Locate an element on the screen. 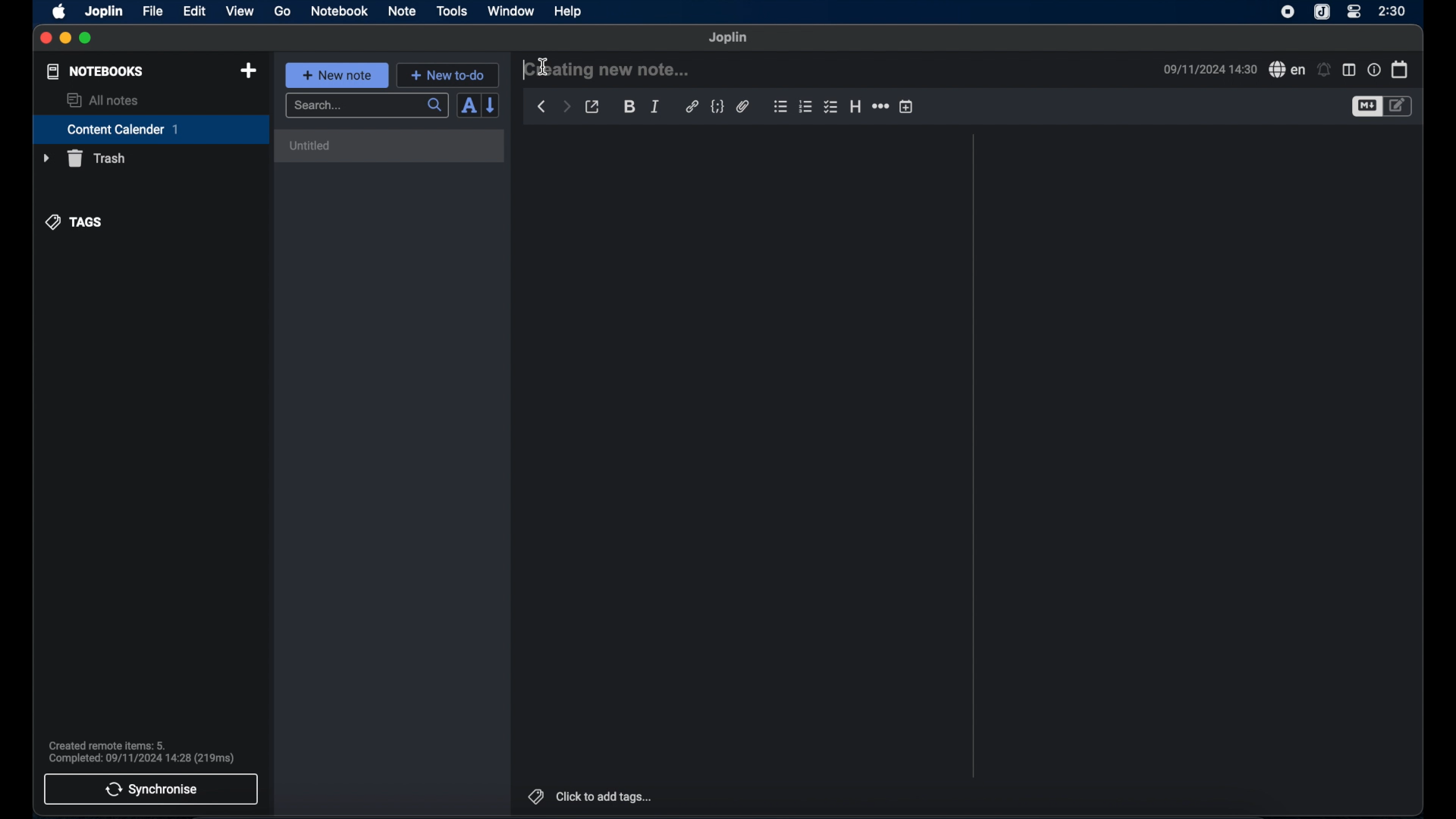 This screenshot has width=1456, height=819. toggle editor layout is located at coordinates (1349, 71).